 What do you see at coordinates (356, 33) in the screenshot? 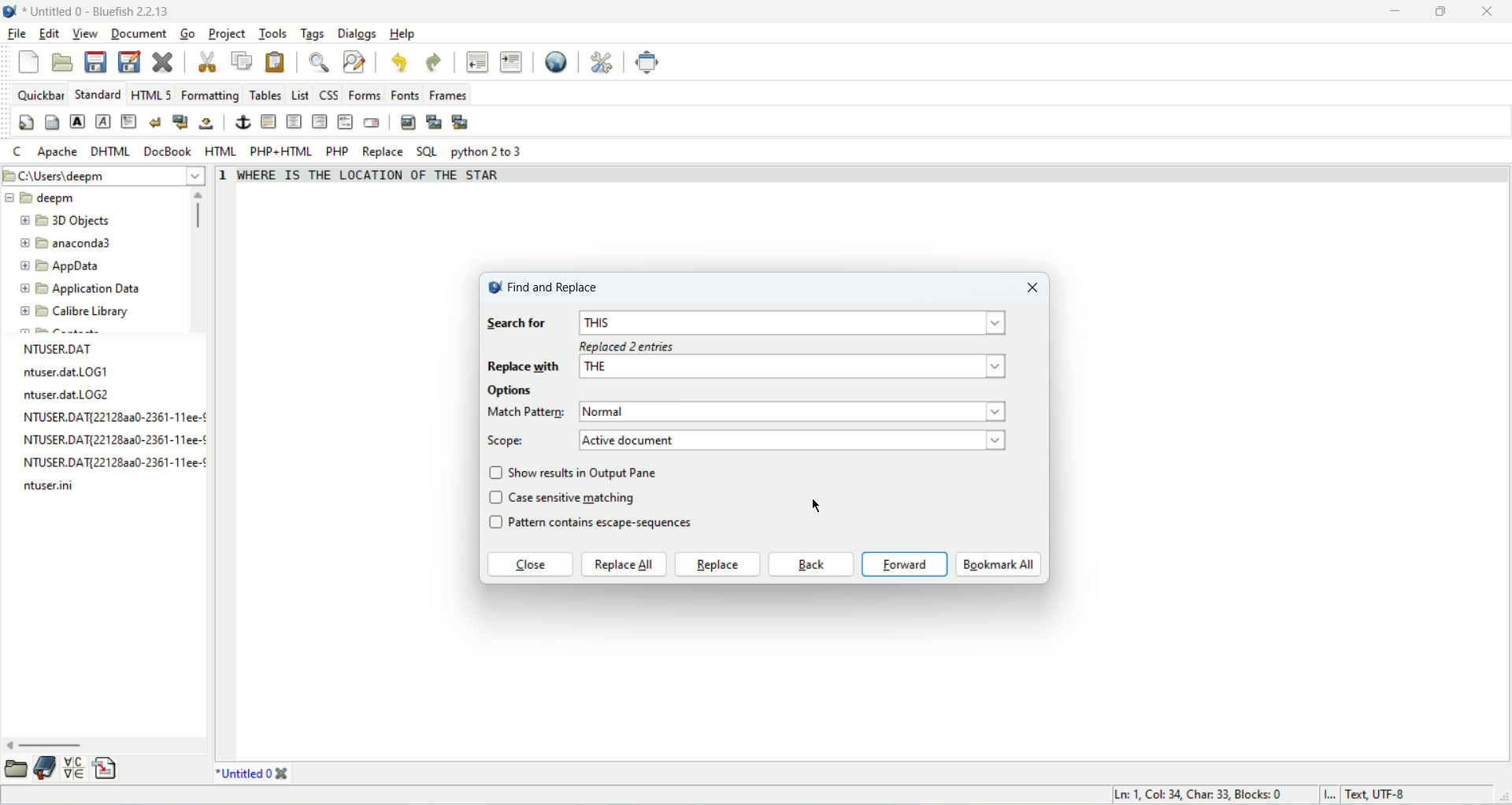
I see `dialogs` at bounding box center [356, 33].